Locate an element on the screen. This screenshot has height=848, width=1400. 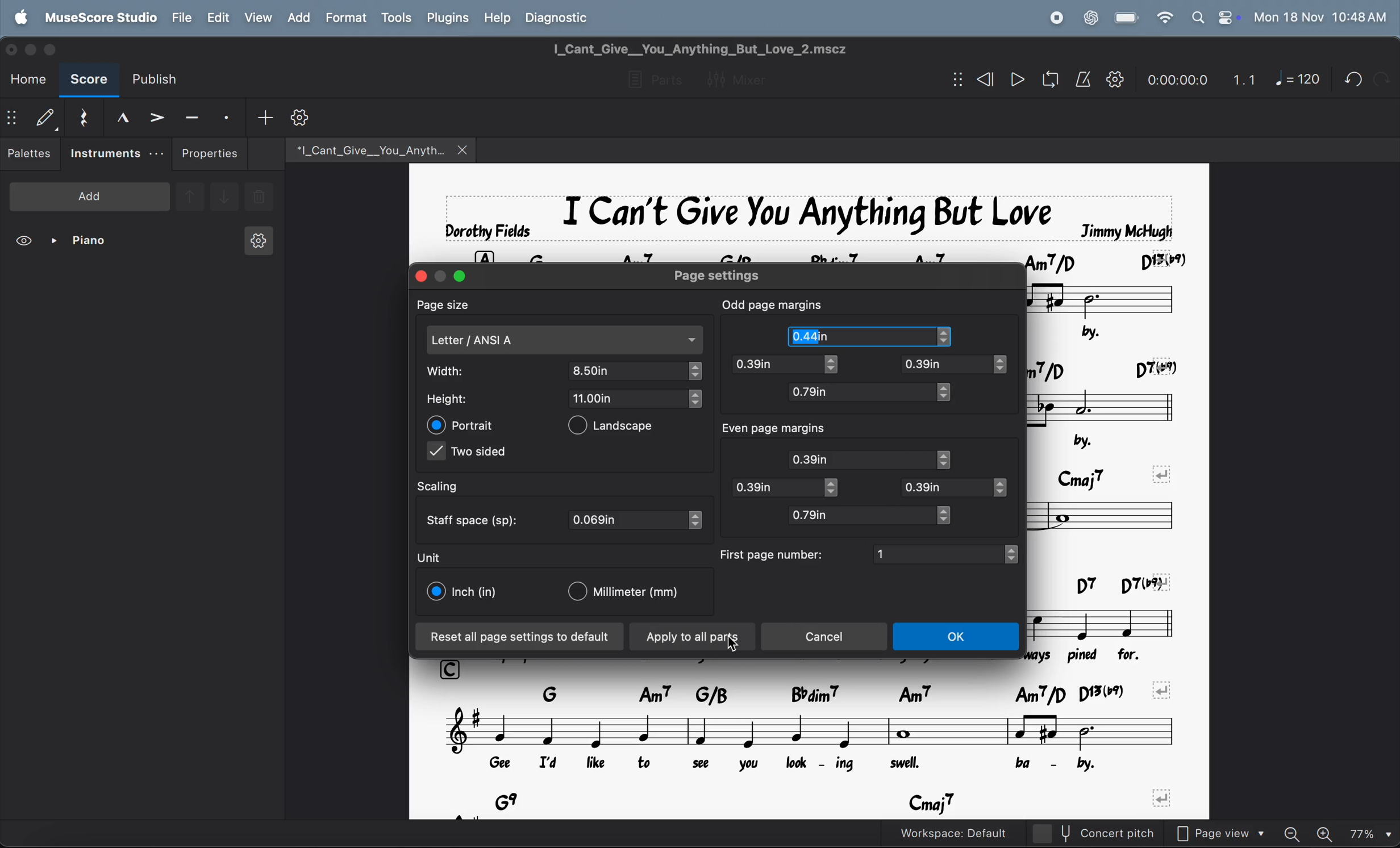
chord symbols is located at coordinates (1108, 364).